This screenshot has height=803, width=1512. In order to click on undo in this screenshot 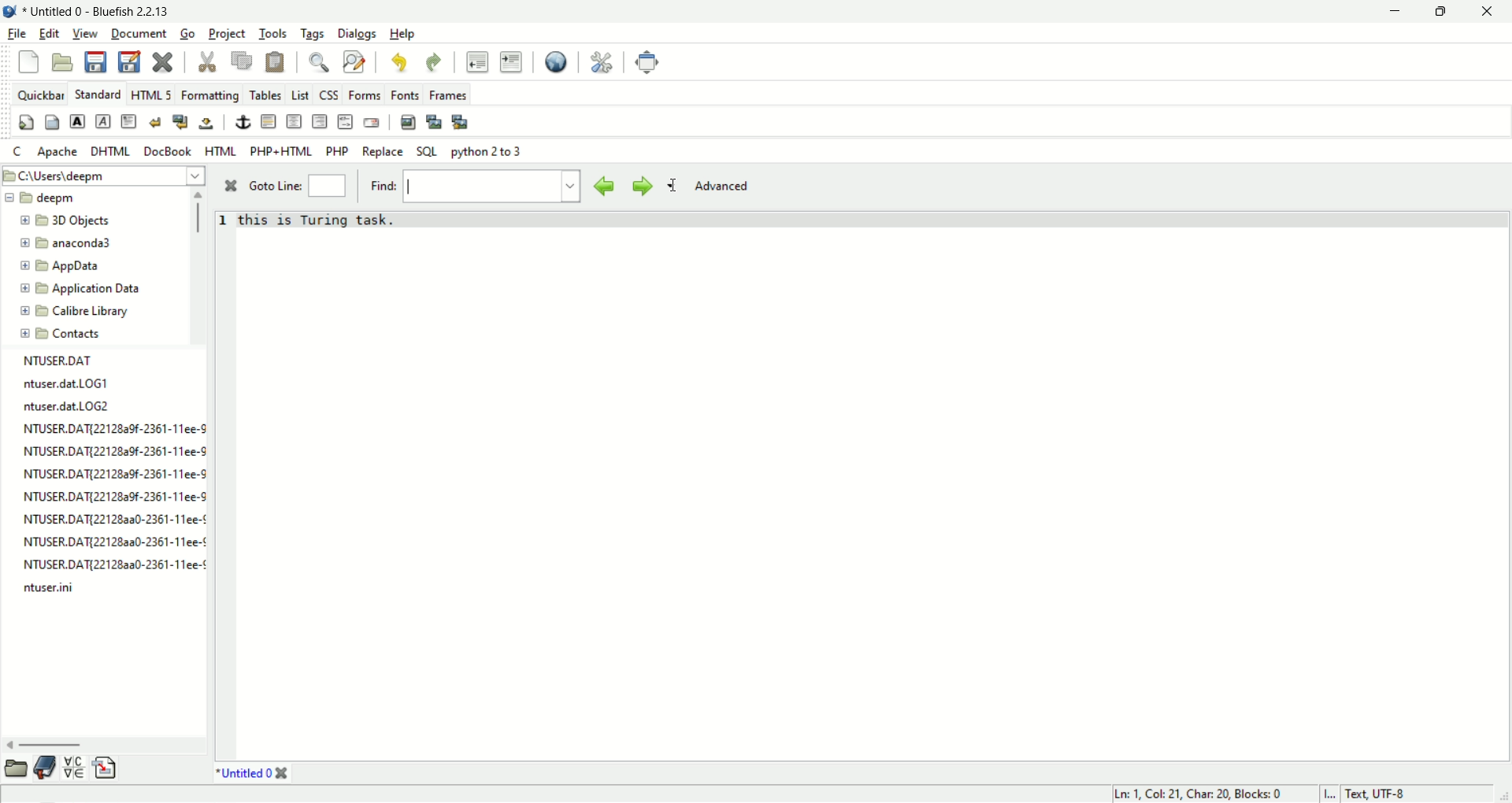, I will do `click(398, 64)`.